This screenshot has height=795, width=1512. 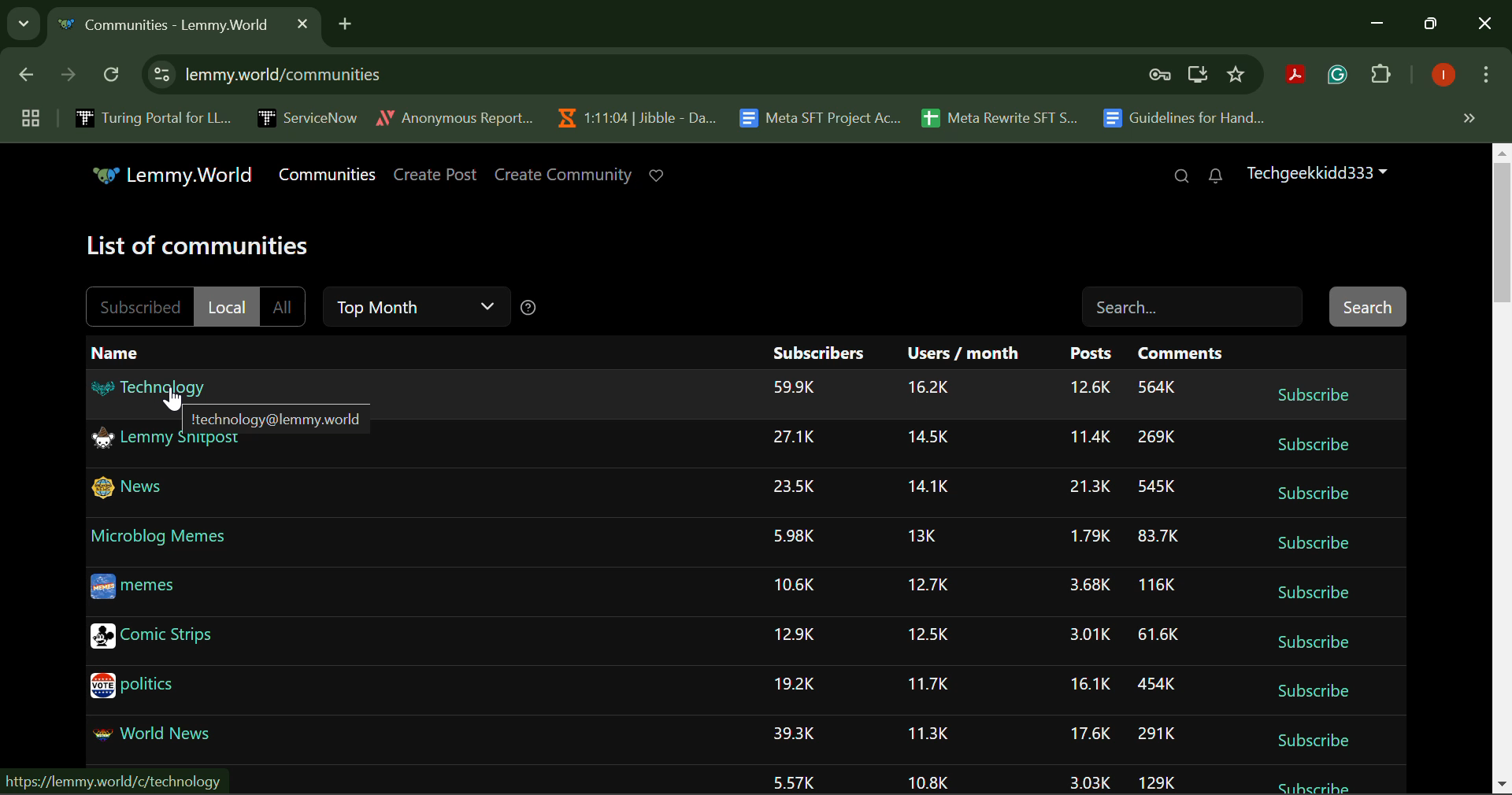 What do you see at coordinates (109, 783) in the screenshot?
I see `Webpage Link` at bounding box center [109, 783].